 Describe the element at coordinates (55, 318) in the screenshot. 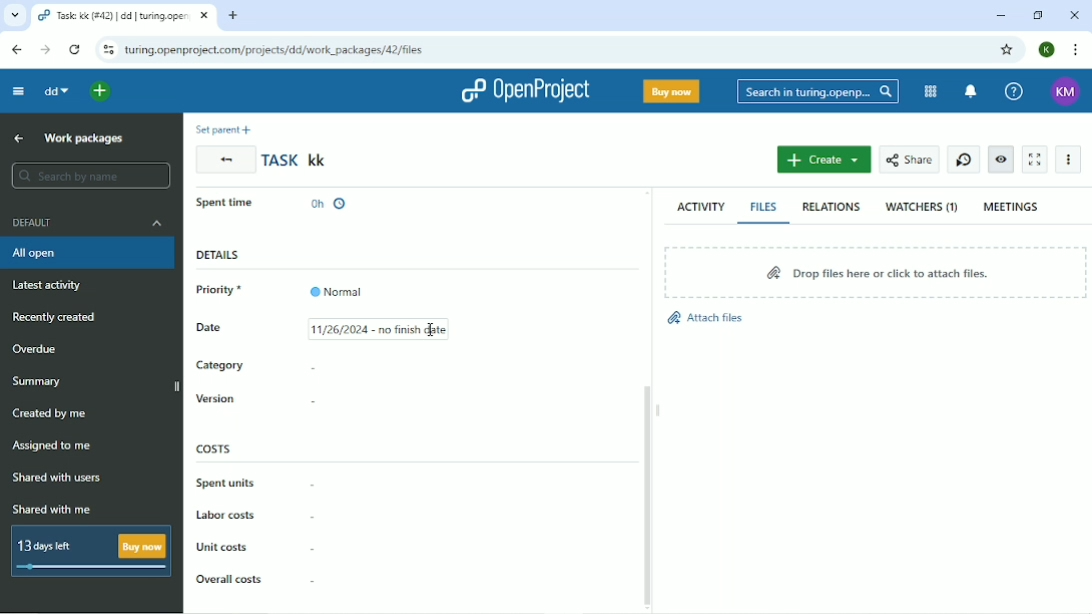

I see `Recently added` at that location.